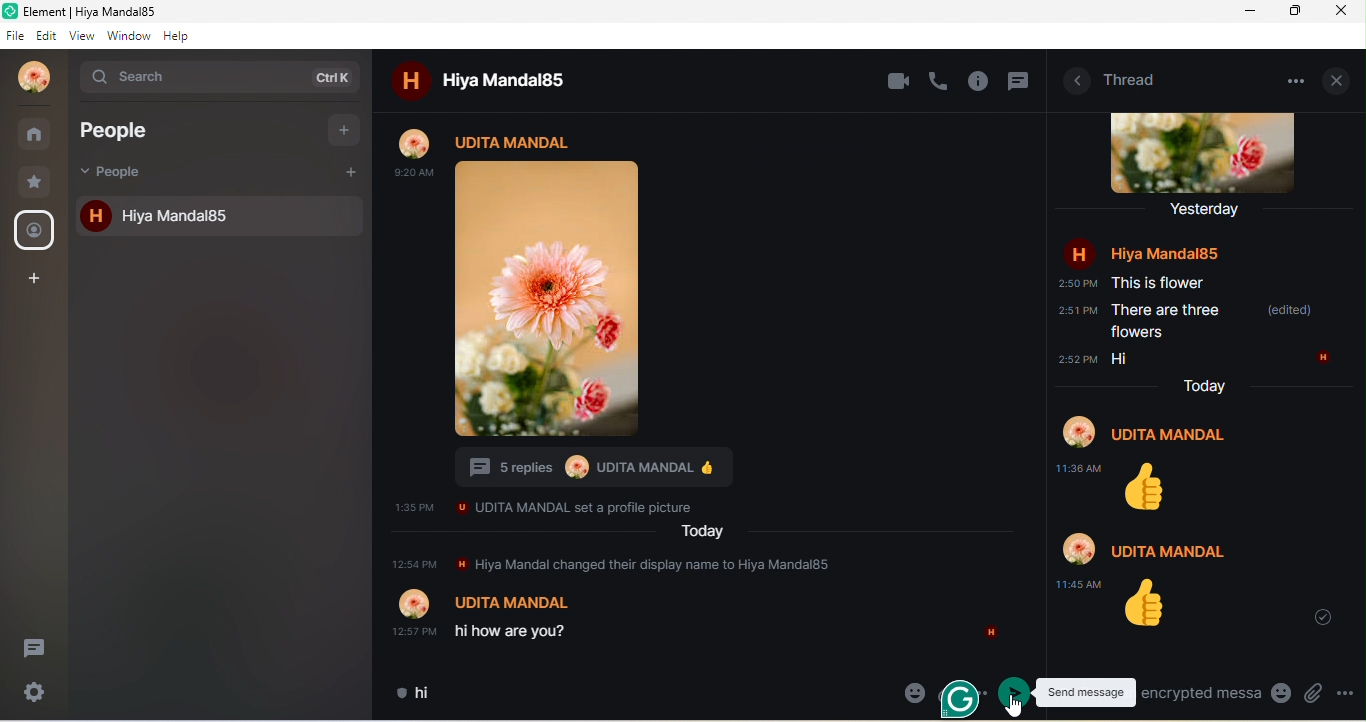 Image resolution: width=1366 pixels, height=722 pixels. Describe the element at coordinates (754, 145) in the screenshot. I see `download` at that location.